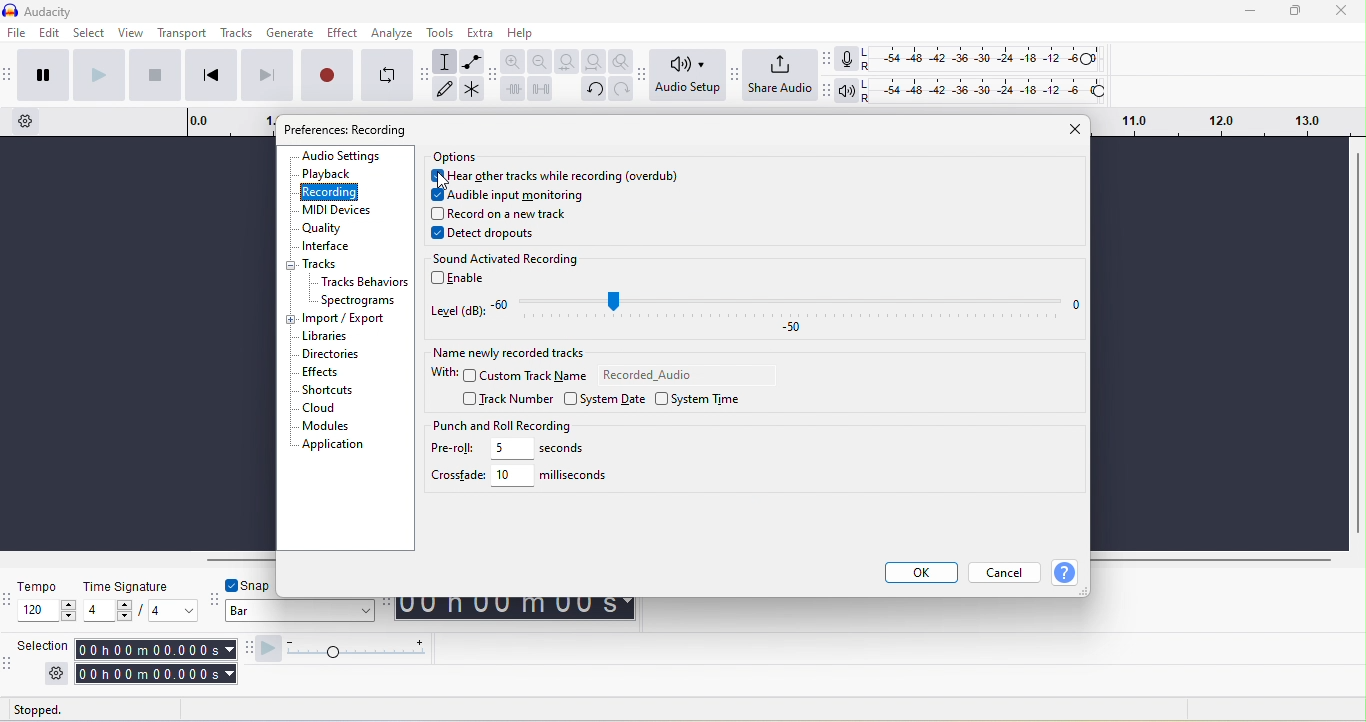 This screenshot has height=722, width=1366. I want to click on analyze, so click(392, 34).